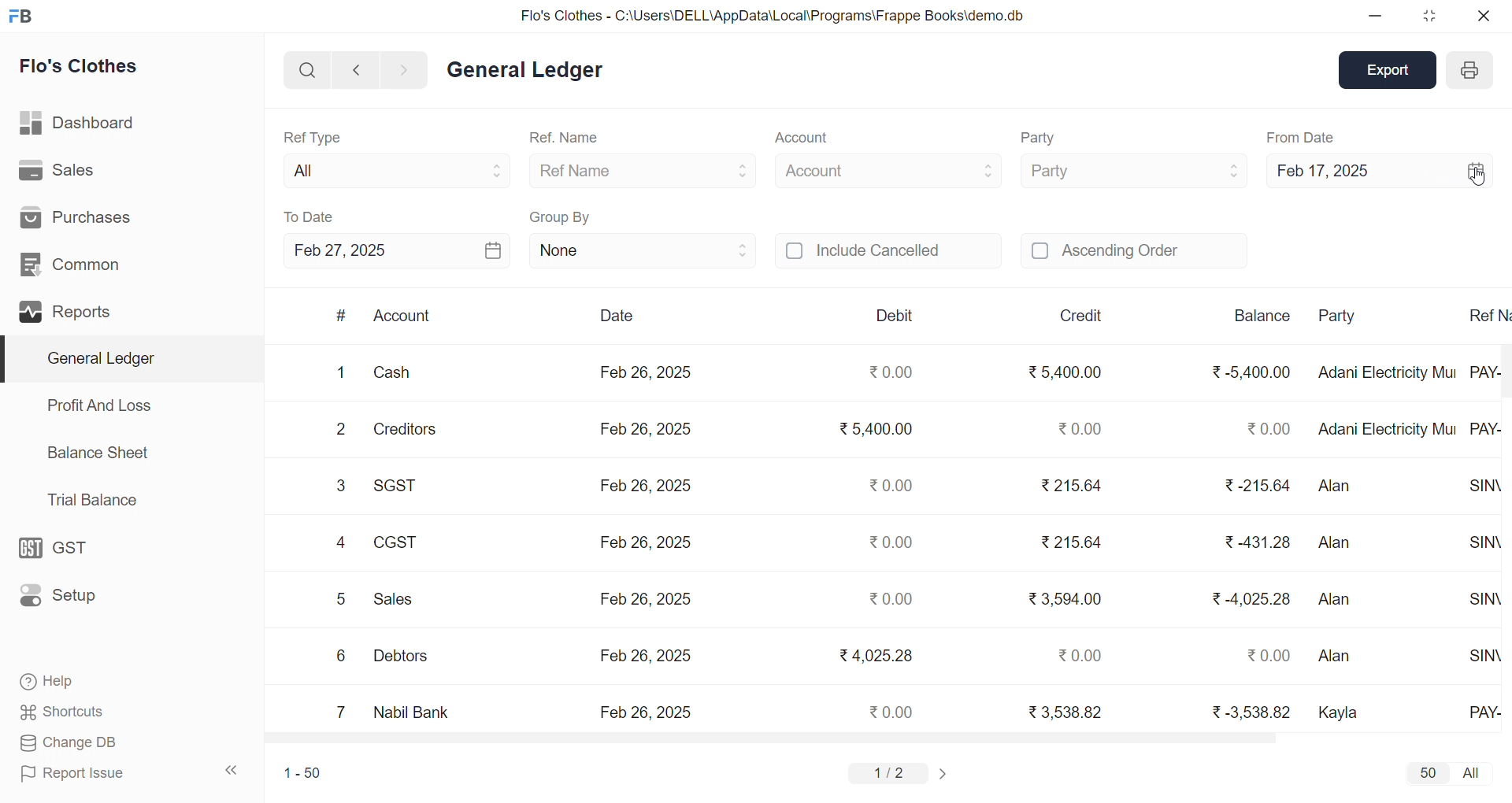  I want to click on Party, so click(1041, 139).